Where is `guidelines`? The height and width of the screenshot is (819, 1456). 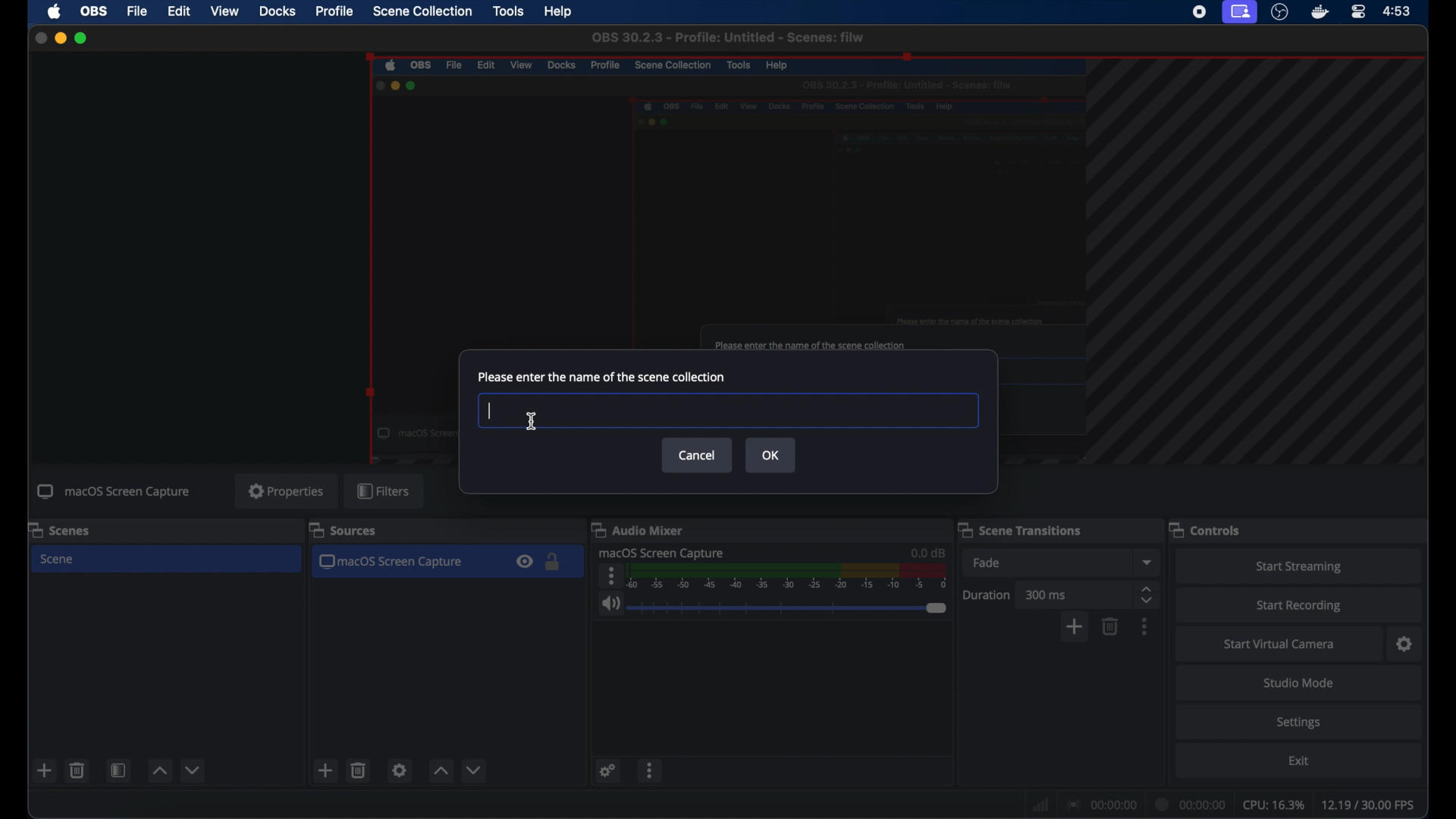 guidelines is located at coordinates (1262, 265).